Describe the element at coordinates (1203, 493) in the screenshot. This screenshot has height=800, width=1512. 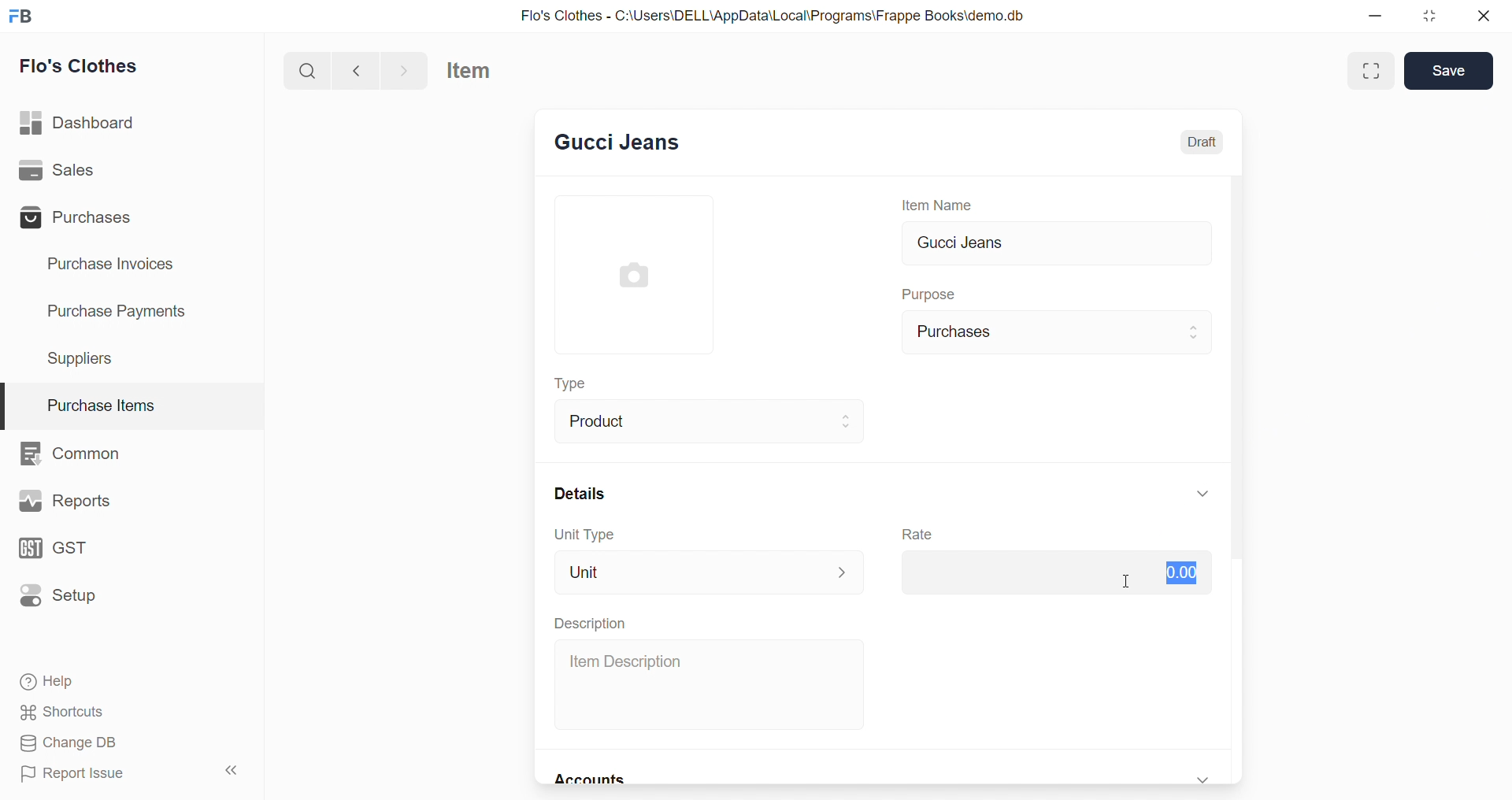
I see `expand/collapse` at that location.